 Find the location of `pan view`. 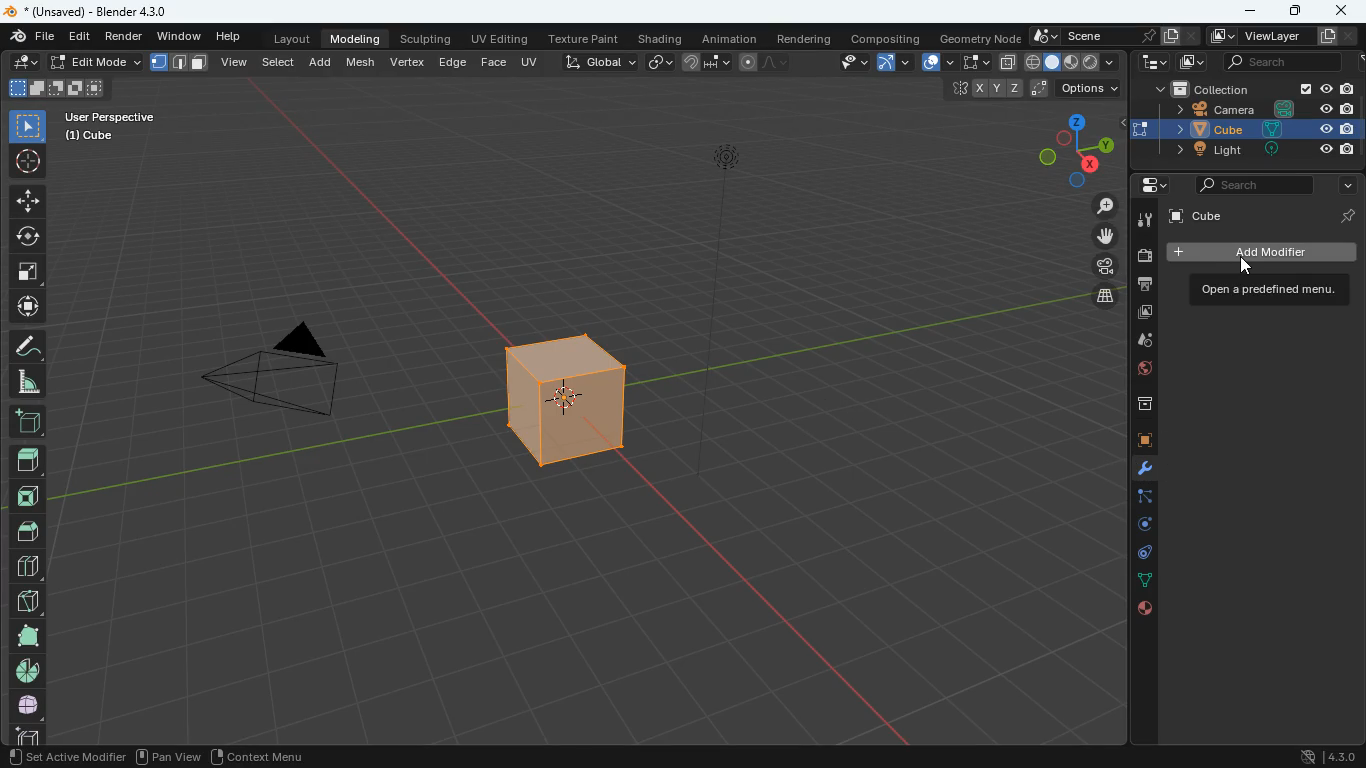

pan view is located at coordinates (38, 756).